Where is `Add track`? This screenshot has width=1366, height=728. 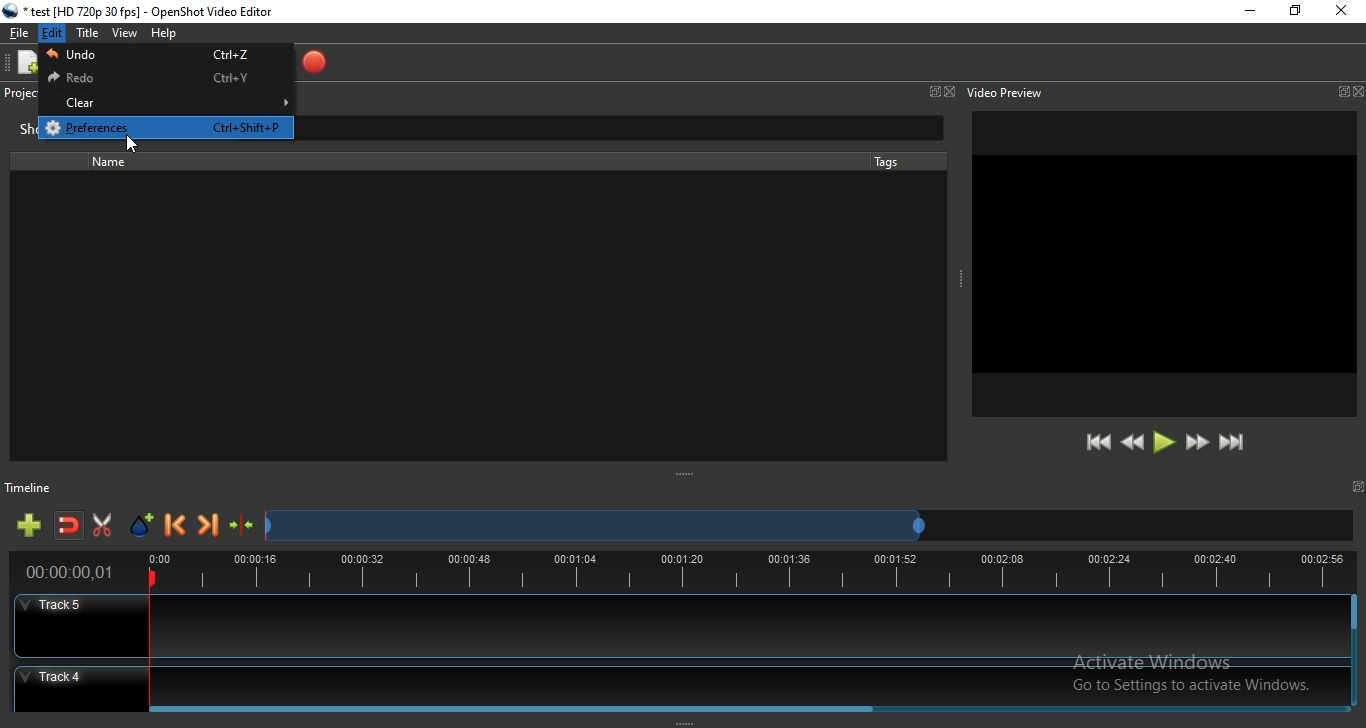 Add track is located at coordinates (31, 526).